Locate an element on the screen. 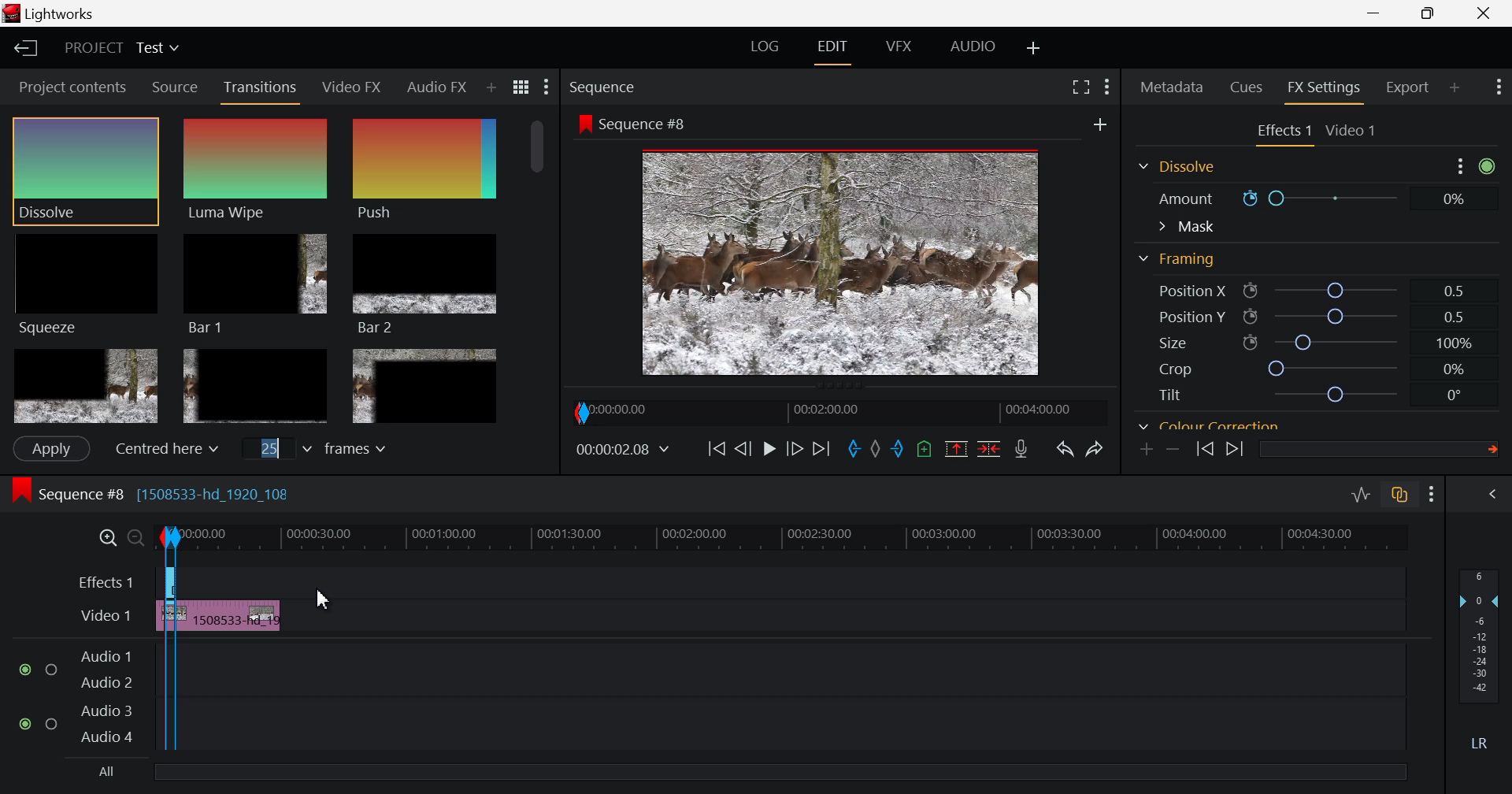  FX Settings Open is located at coordinates (1324, 90).